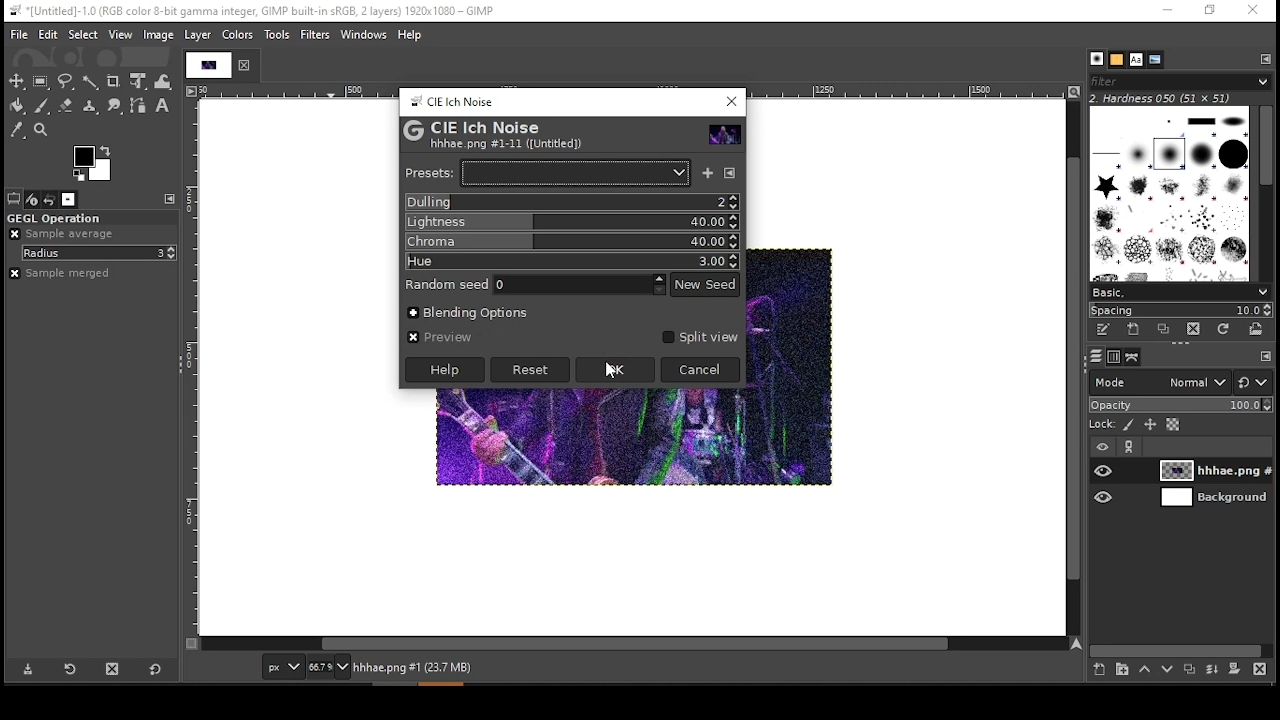 Image resolution: width=1280 pixels, height=720 pixels. What do you see at coordinates (16, 105) in the screenshot?
I see `paint bucket tool` at bounding box center [16, 105].